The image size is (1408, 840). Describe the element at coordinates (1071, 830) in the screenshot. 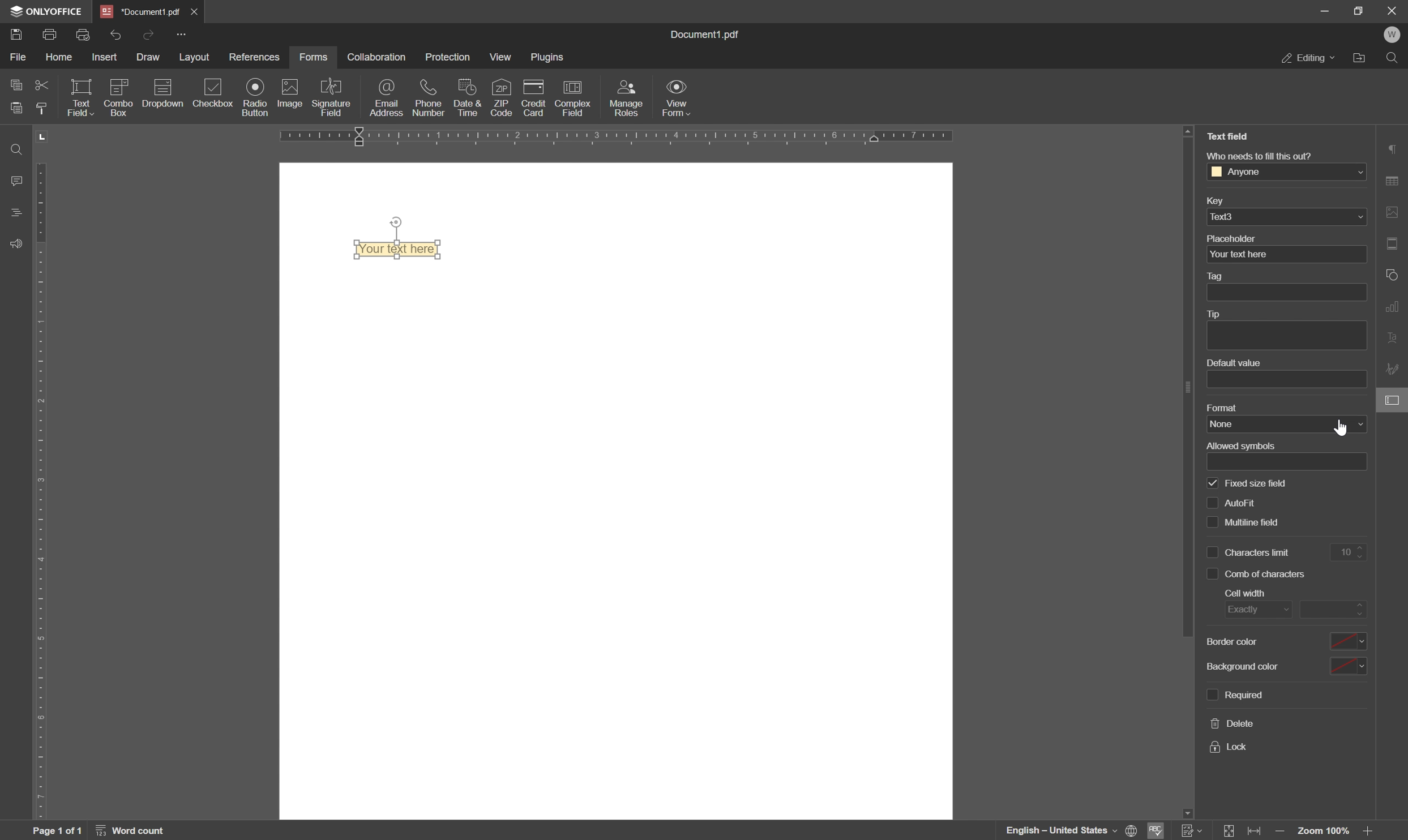

I see `set document language` at that location.